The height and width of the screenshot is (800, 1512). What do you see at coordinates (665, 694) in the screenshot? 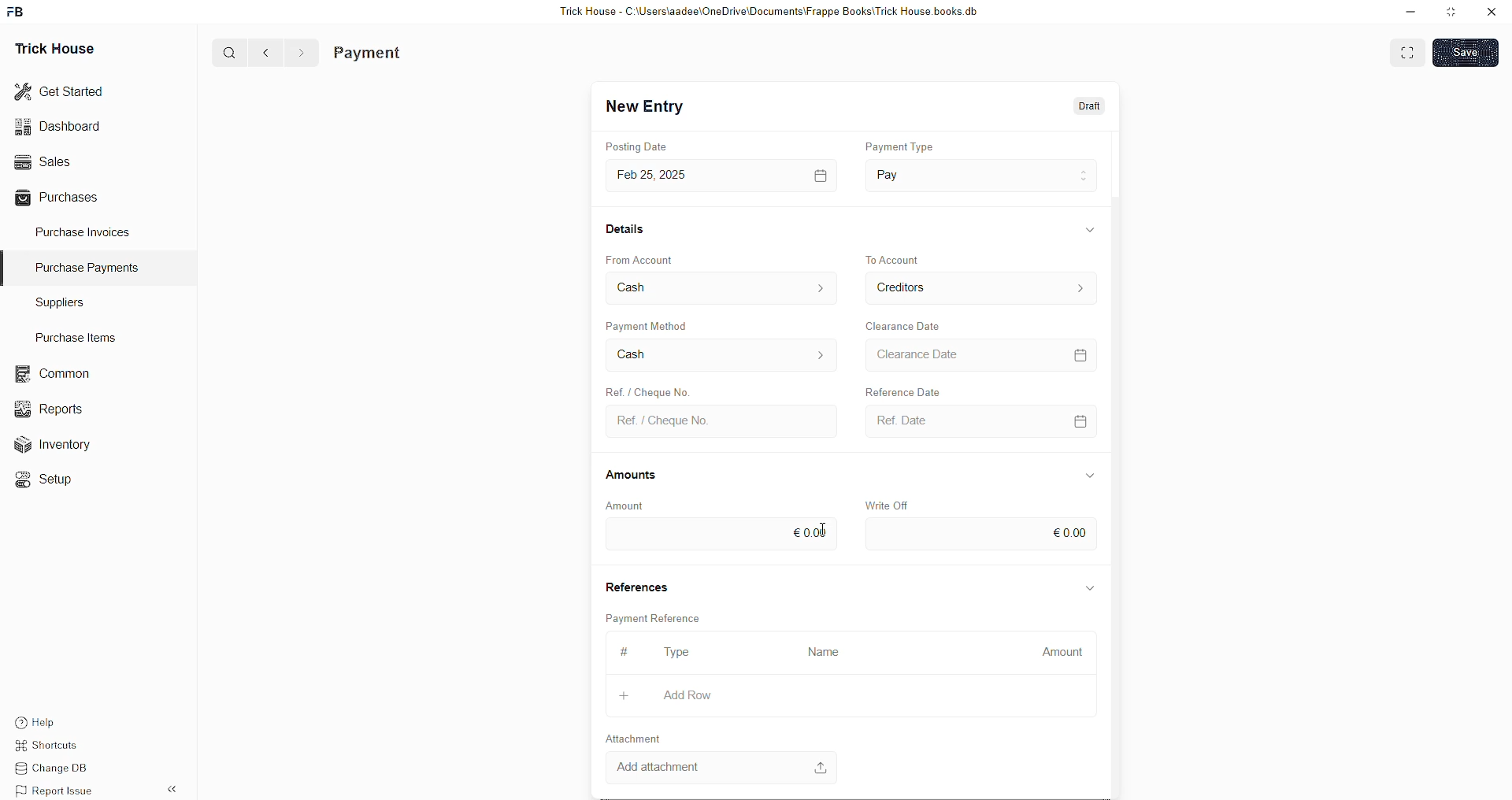
I see `Add Row` at bounding box center [665, 694].